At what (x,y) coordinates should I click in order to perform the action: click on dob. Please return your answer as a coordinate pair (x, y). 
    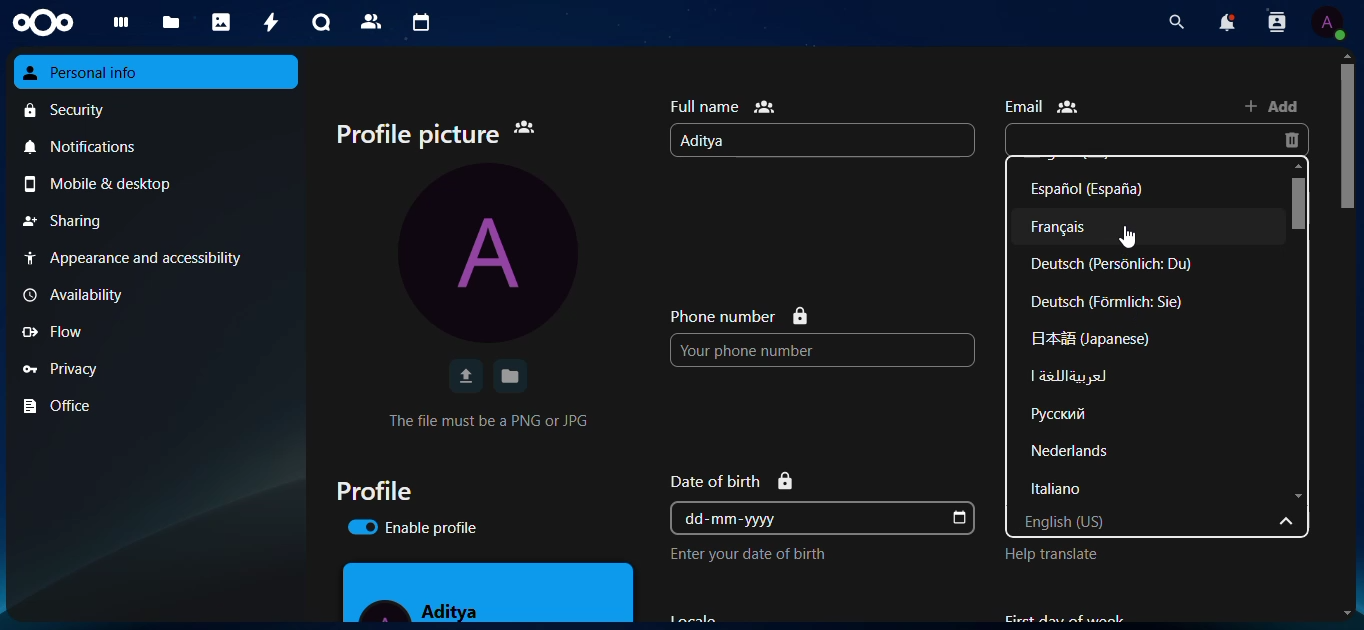
    Looking at the image, I should click on (960, 518).